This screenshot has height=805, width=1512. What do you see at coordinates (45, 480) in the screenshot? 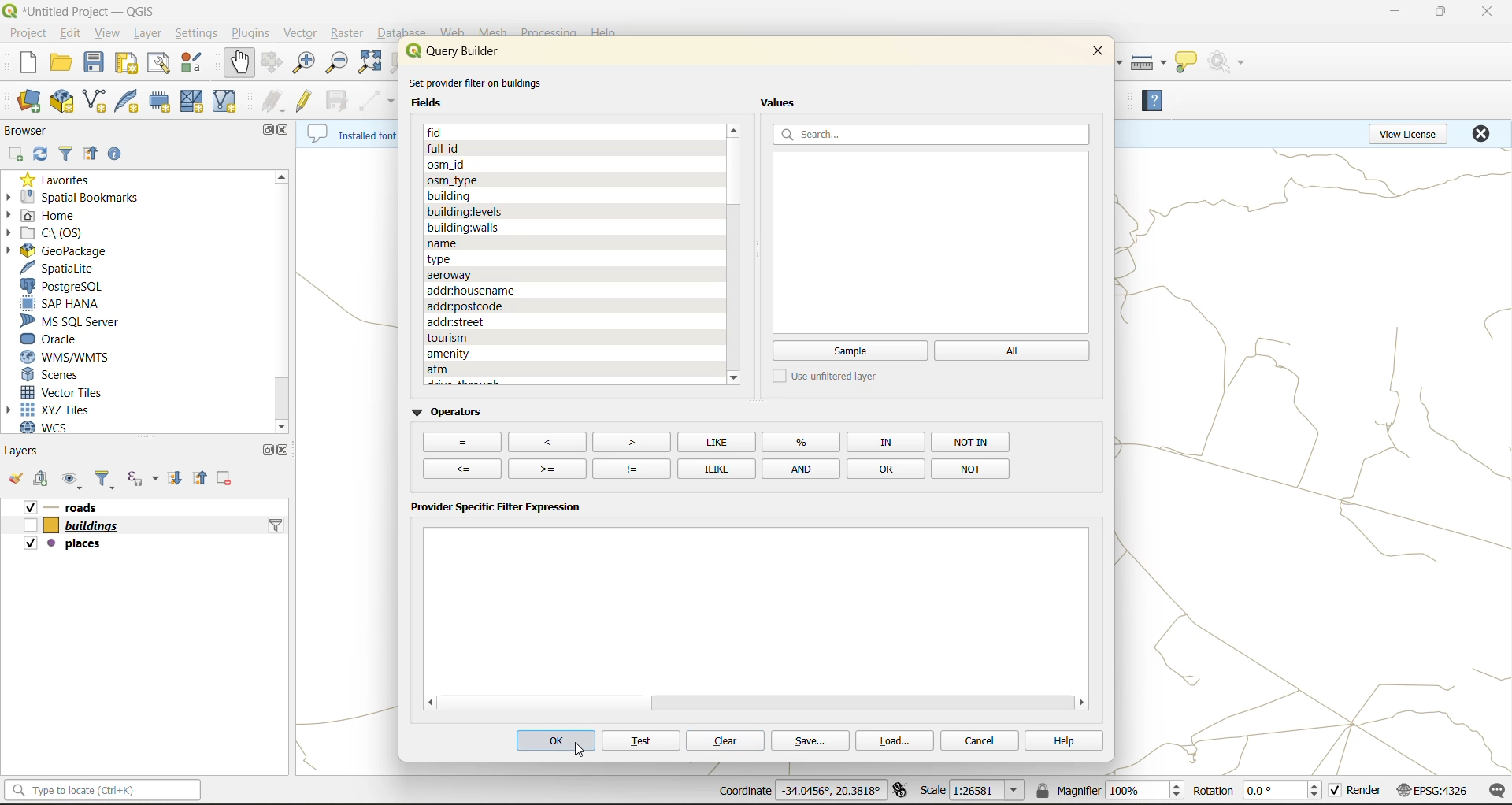
I see `add` at bounding box center [45, 480].